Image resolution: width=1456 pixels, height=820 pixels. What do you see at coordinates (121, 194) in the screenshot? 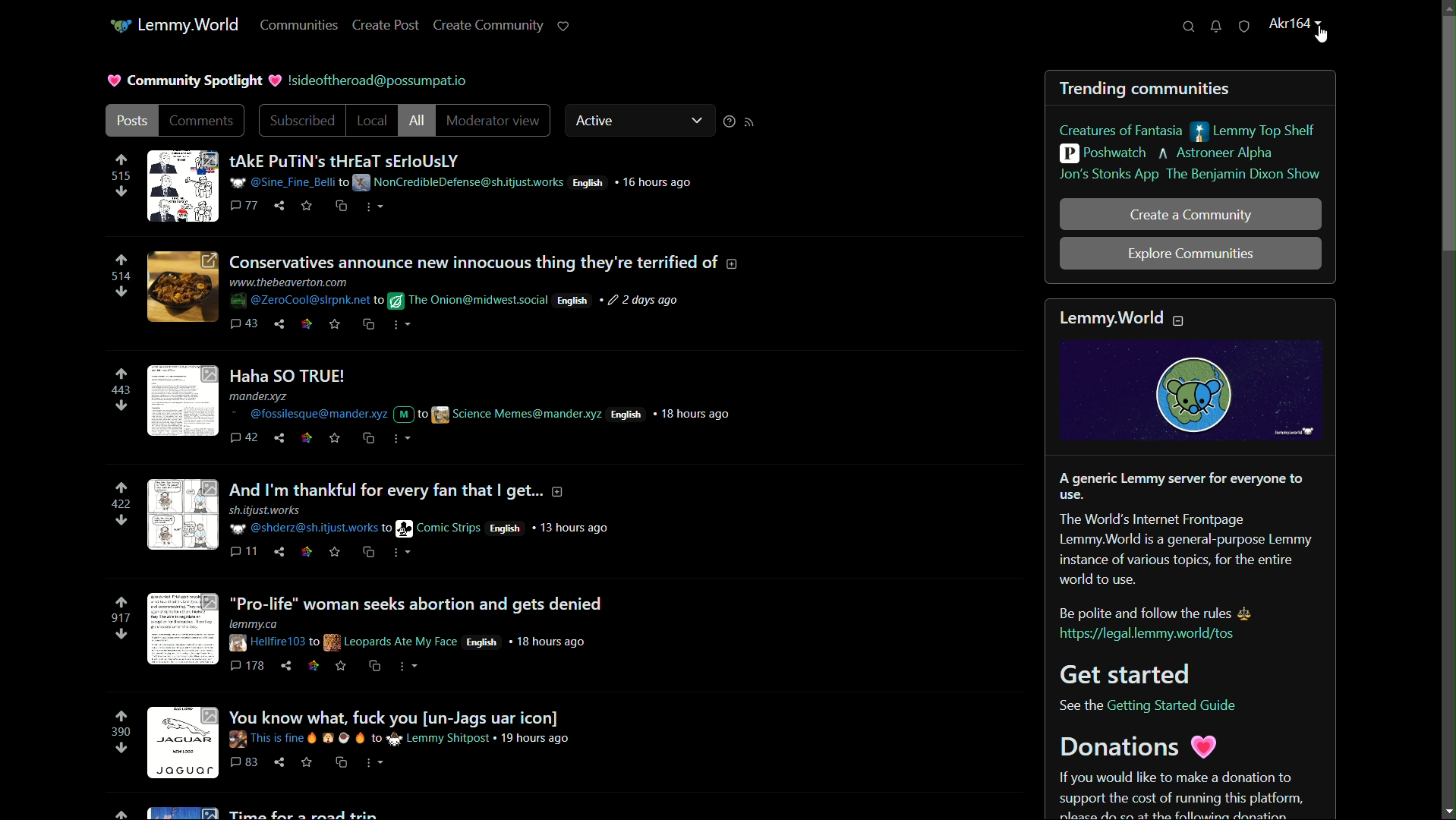
I see `downvote` at bounding box center [121, 194].